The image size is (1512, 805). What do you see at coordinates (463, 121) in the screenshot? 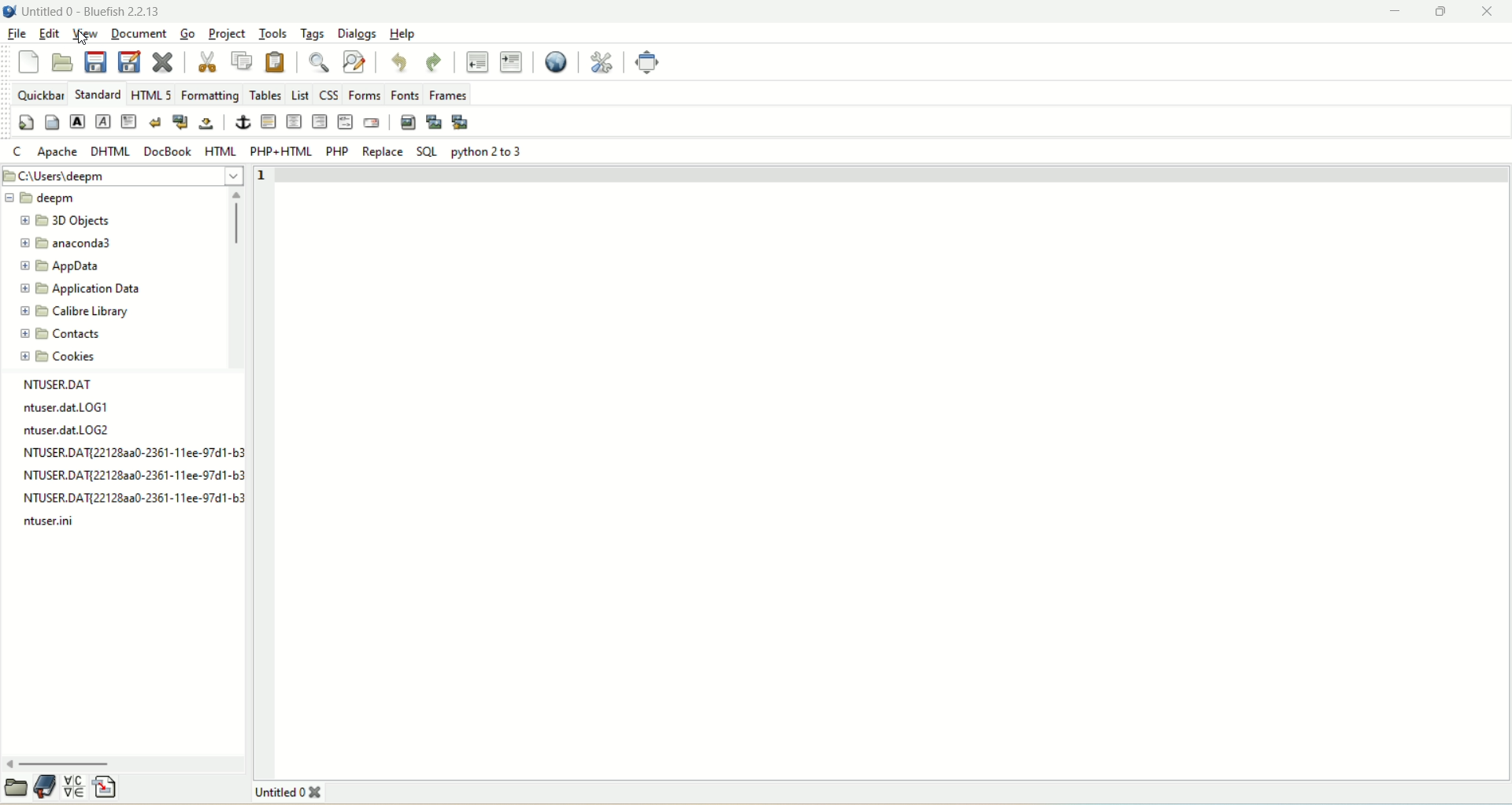
I see `multi-thumbnail` at bounding box center [463, 121].